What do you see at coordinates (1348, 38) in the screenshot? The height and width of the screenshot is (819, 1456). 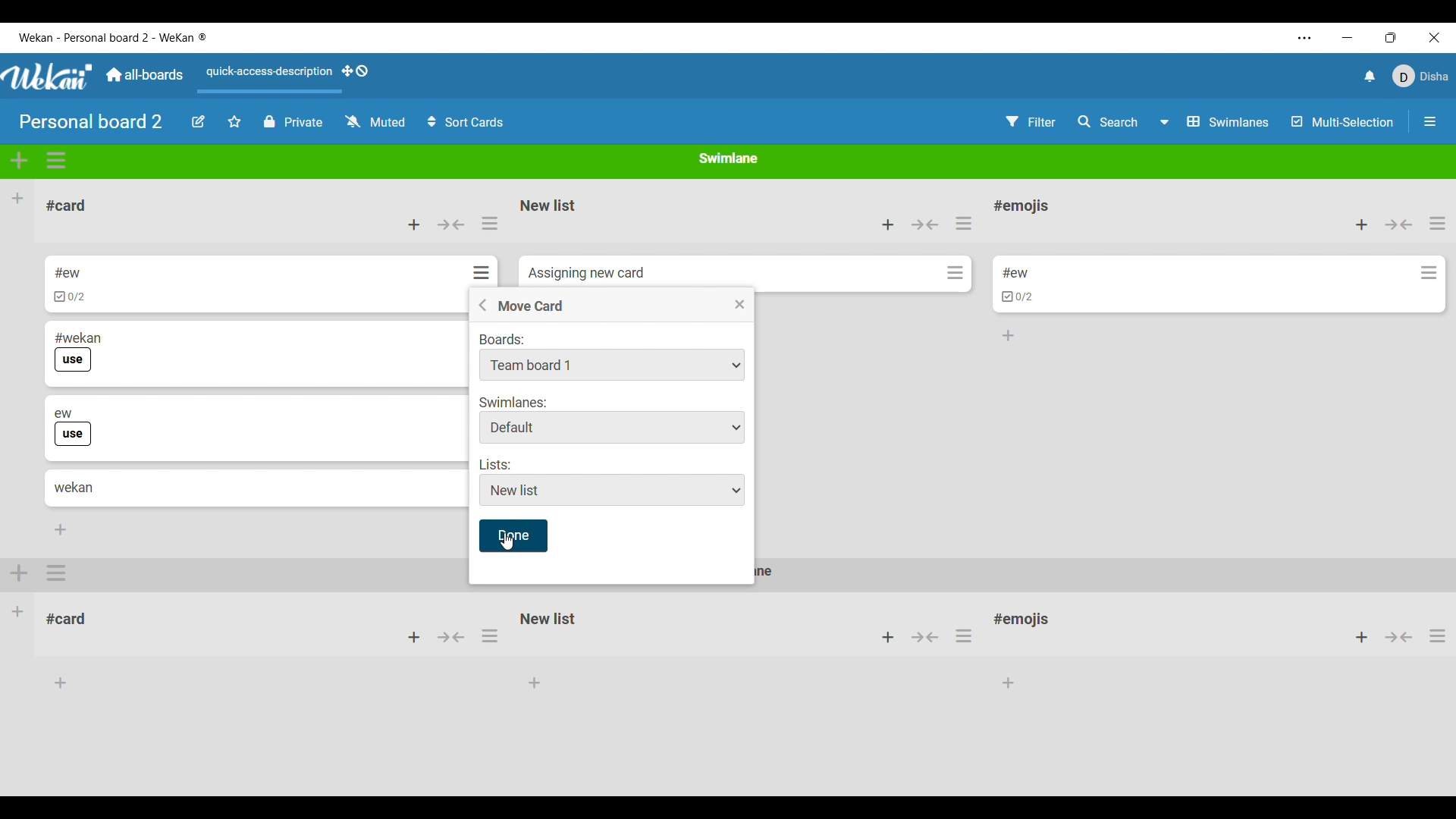 I see `Minimize` at bounding box center [1348, 38].